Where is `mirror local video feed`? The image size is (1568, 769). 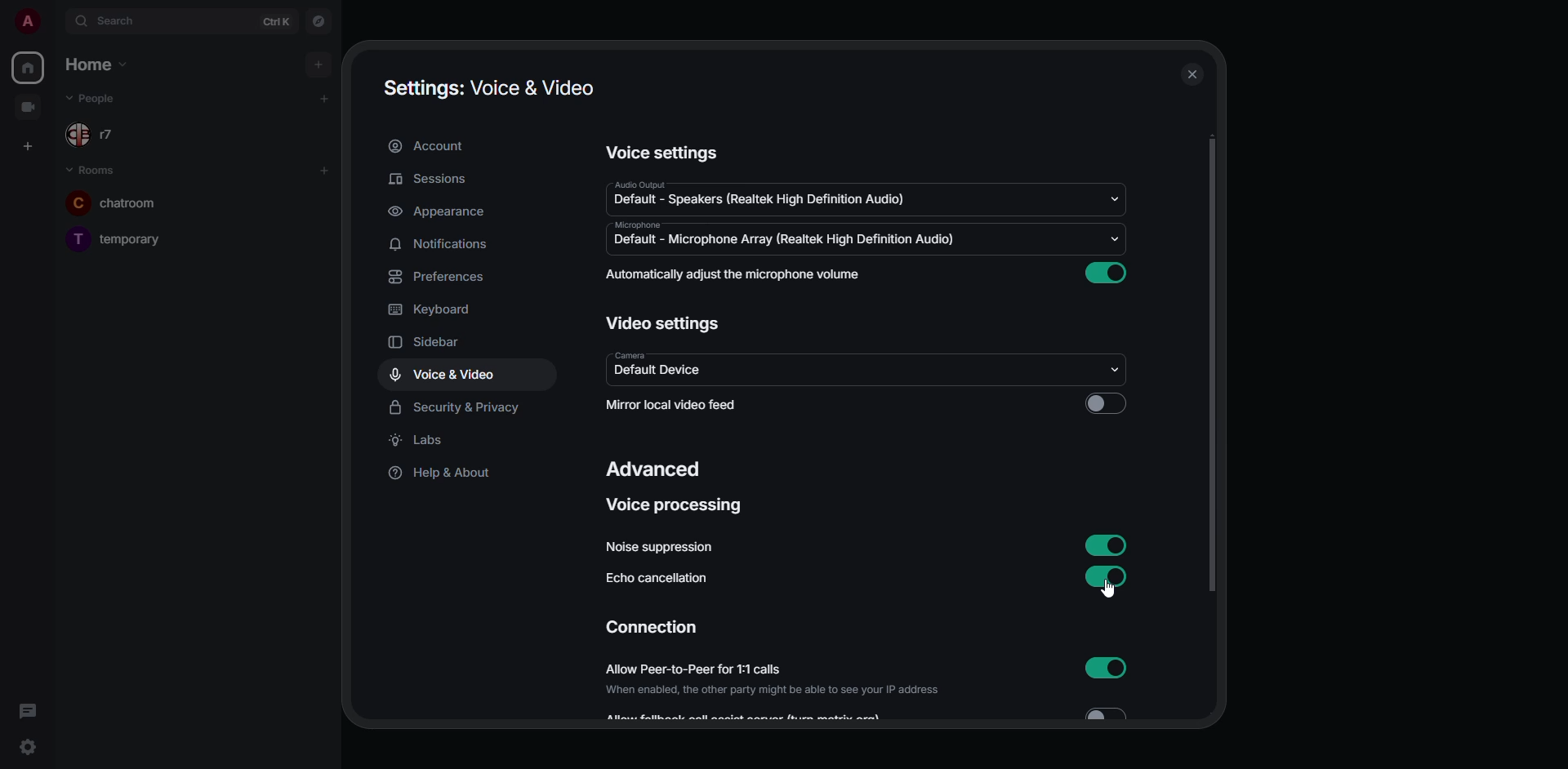 mirror local video feed is located at coordinates (676, 407).